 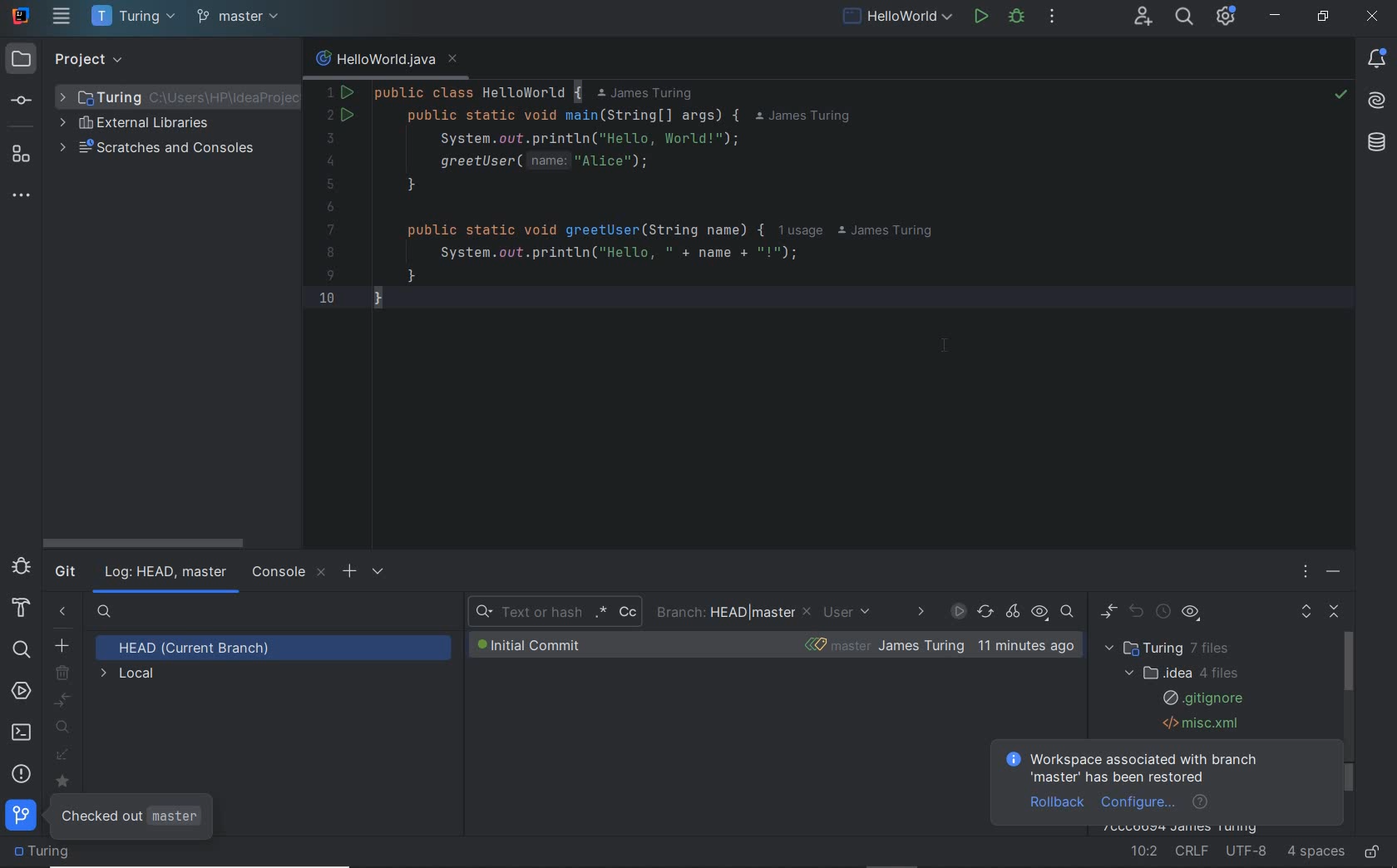 What do you see at coordinates (689, 195) in the screenshot?
I see `code` at bounding box center [689, 195].